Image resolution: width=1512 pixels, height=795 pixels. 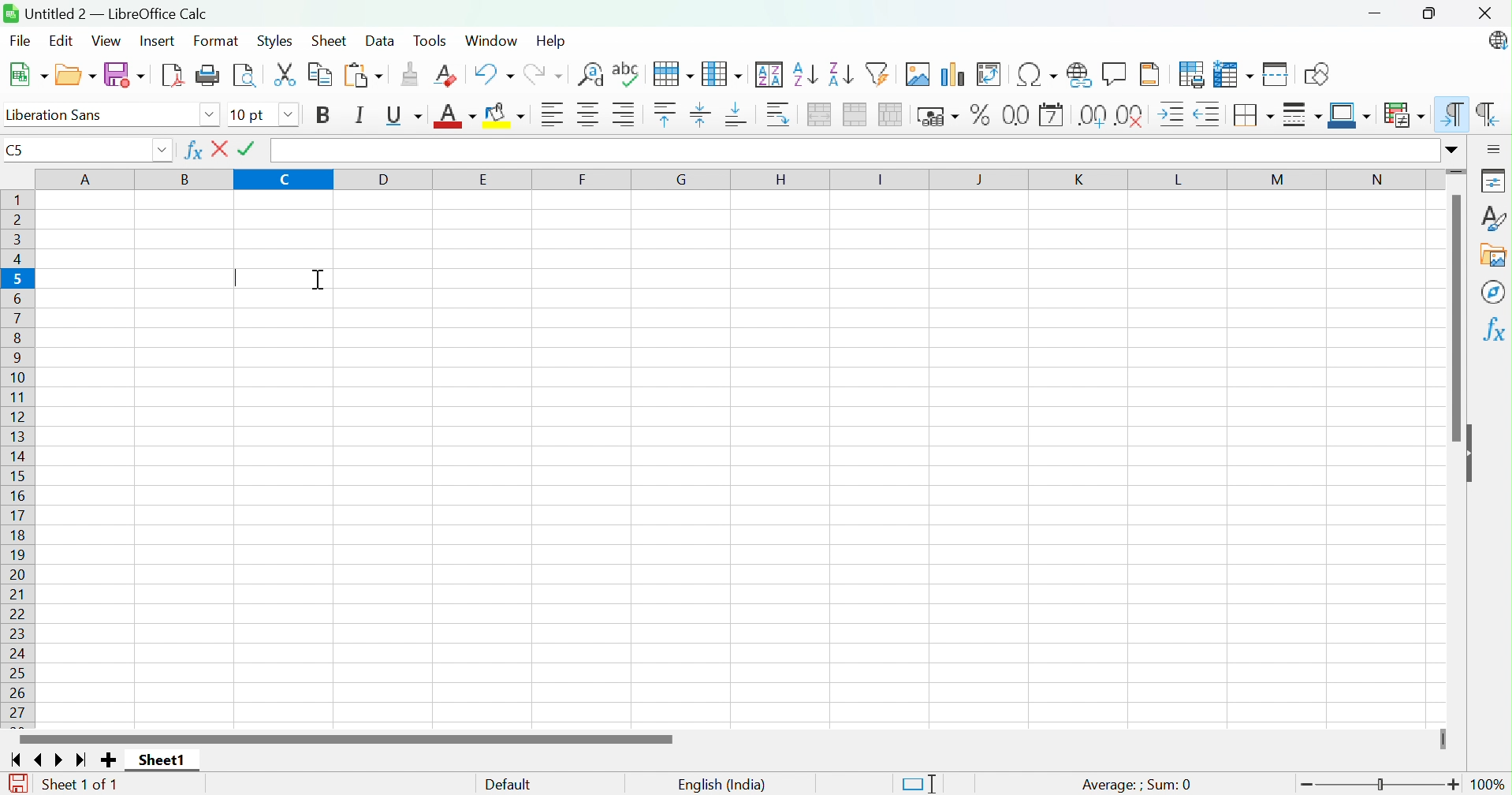 What do you see at coordinates (1306, 786) in the screenshot?
I see `Zoom out` at bounding box center [1306, 786].